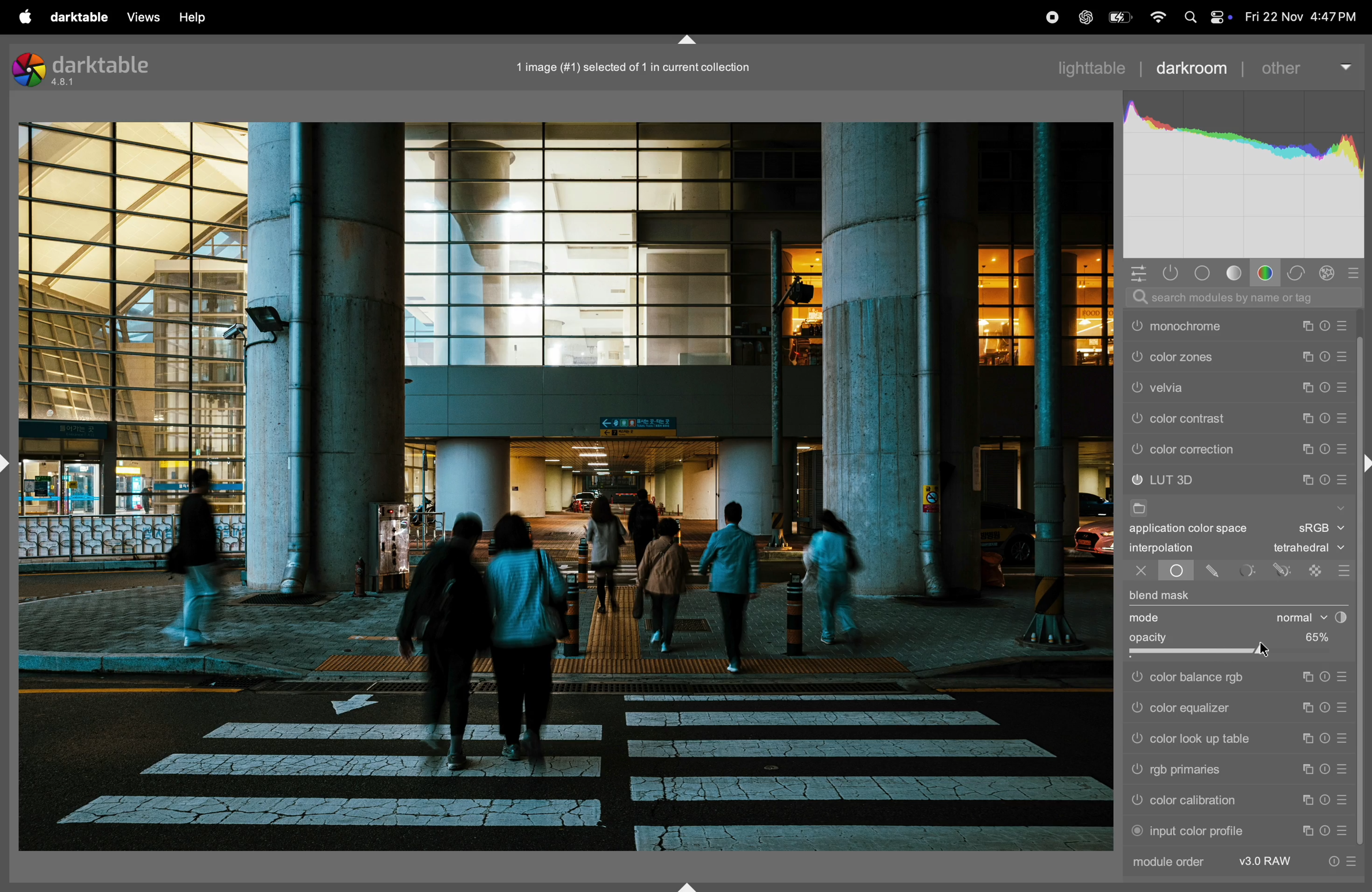 The image size is (1372, 892). What do you see at coordinates (1211, 709) in the screenshot?
I see `color equalizer` at bounding box center [1211, 709].